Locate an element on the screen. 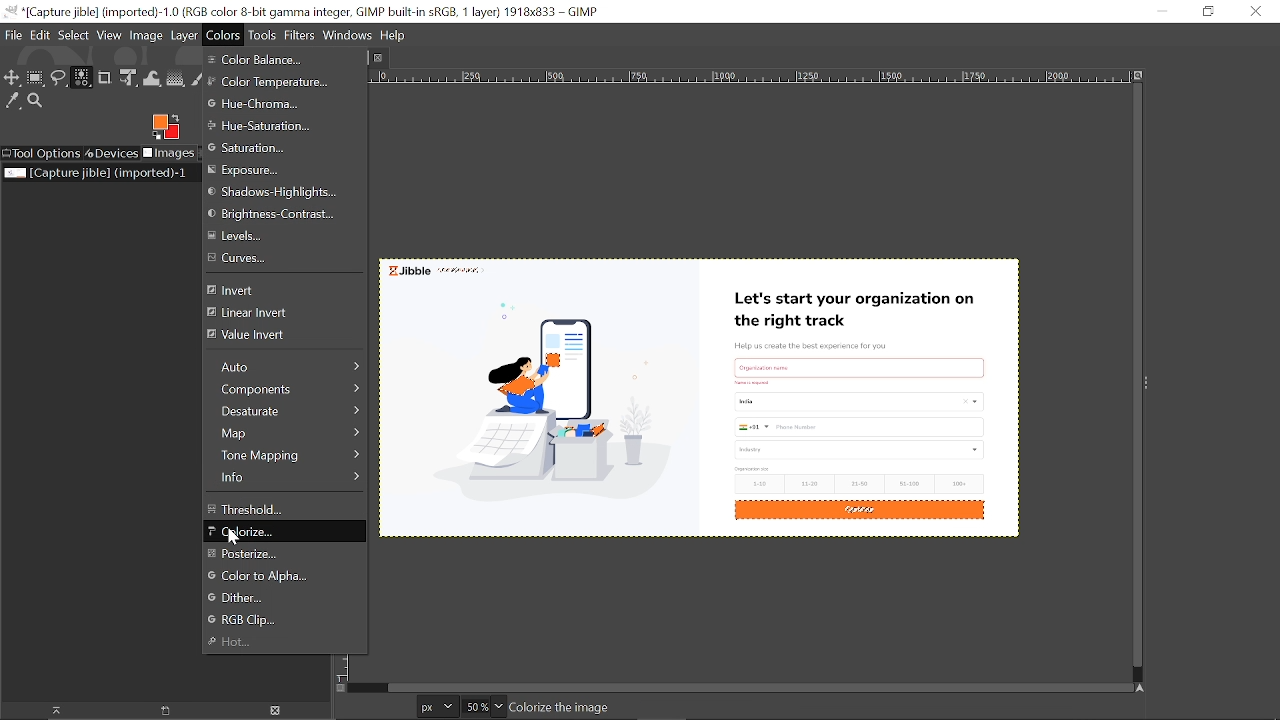  Fore ground tool is located at coordinates (164, 126).